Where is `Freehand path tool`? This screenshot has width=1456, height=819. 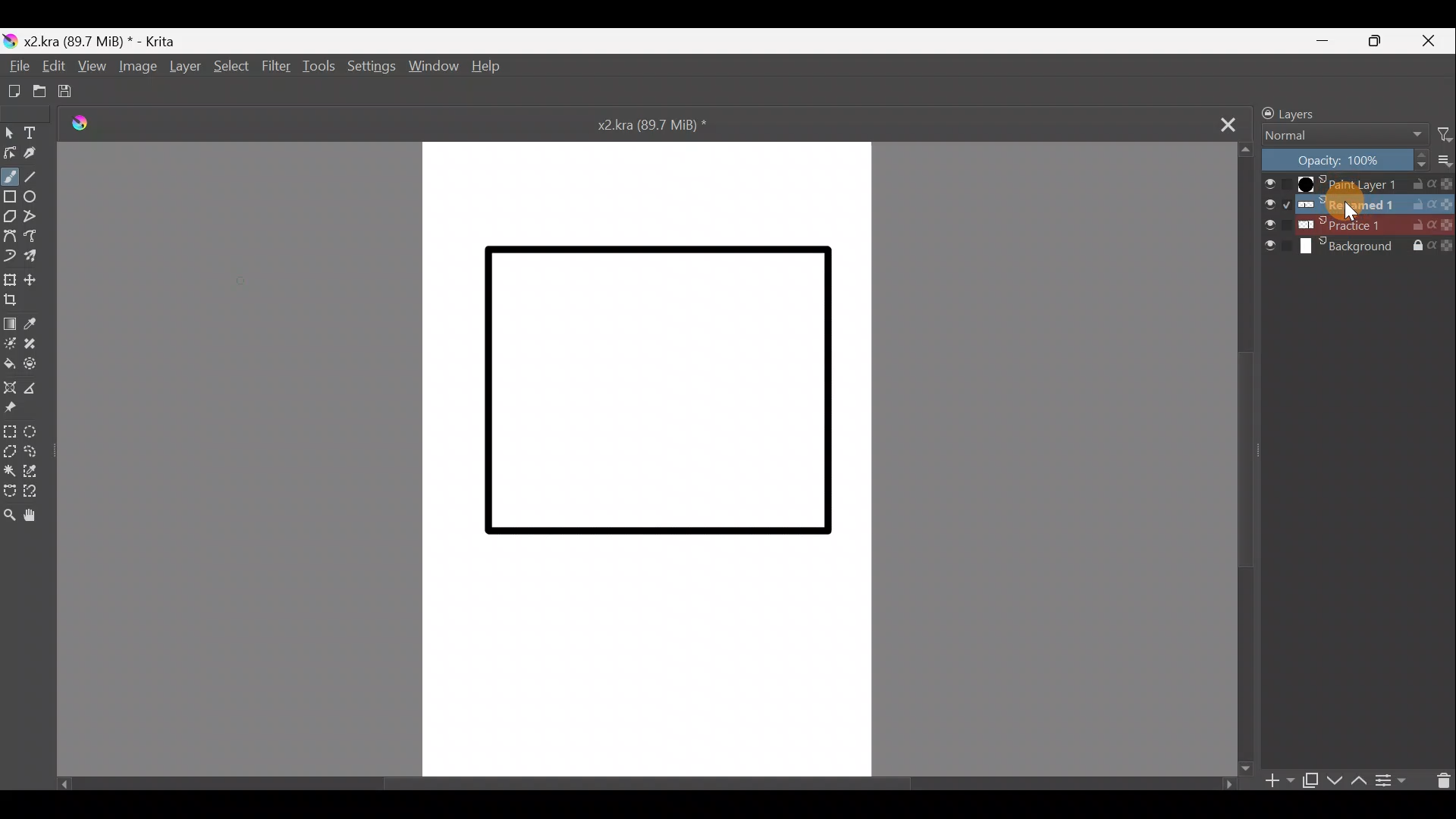 Freehand path tool is located at coordinates (33, 237).